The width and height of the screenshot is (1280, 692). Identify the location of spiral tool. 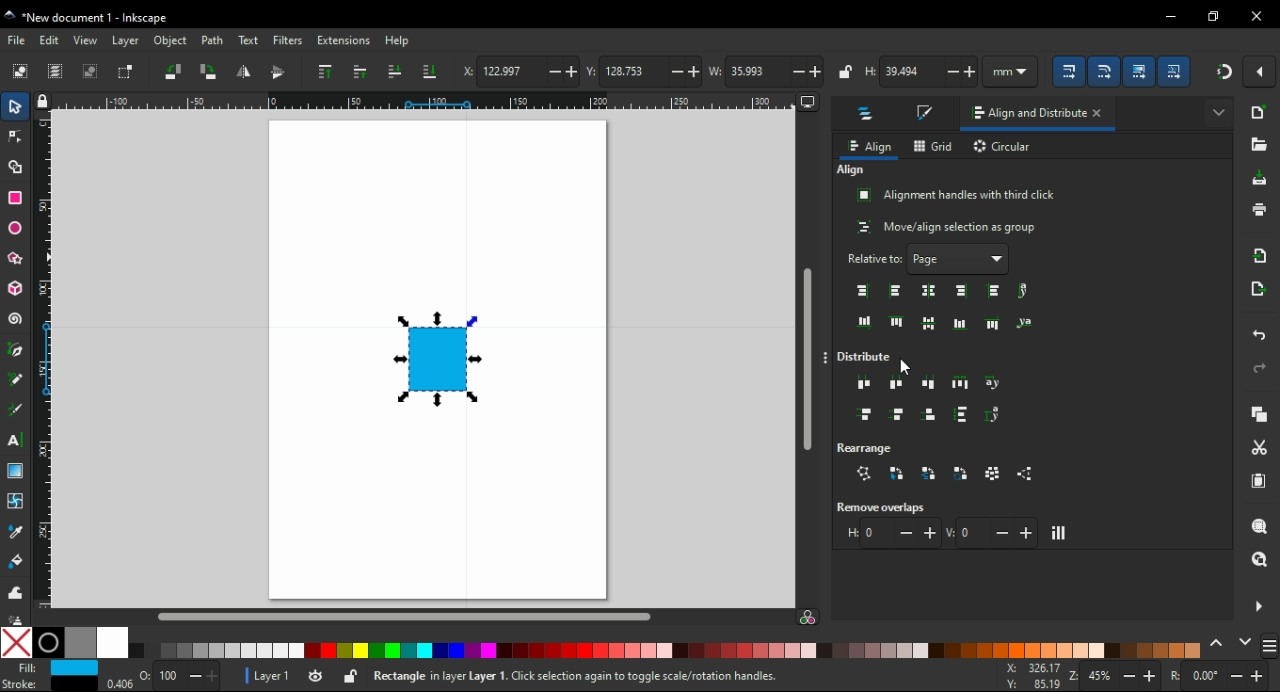
(15, 319).